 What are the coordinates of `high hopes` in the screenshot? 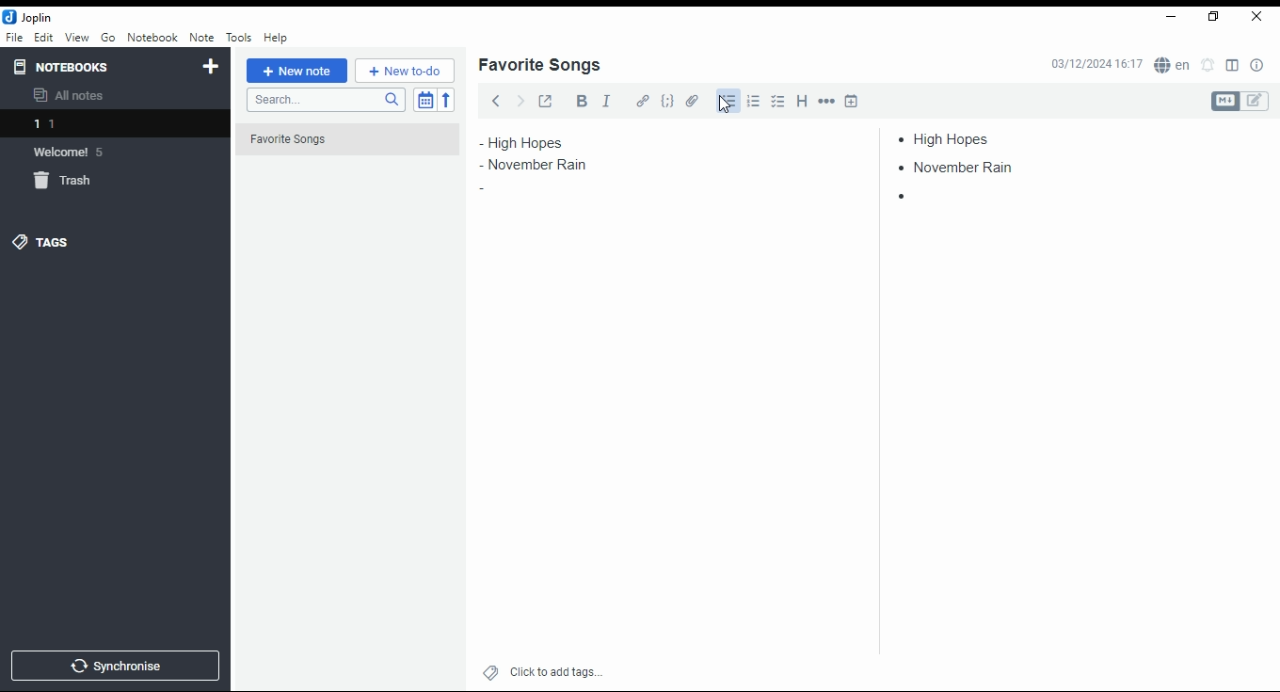 It's located at (547, 143).